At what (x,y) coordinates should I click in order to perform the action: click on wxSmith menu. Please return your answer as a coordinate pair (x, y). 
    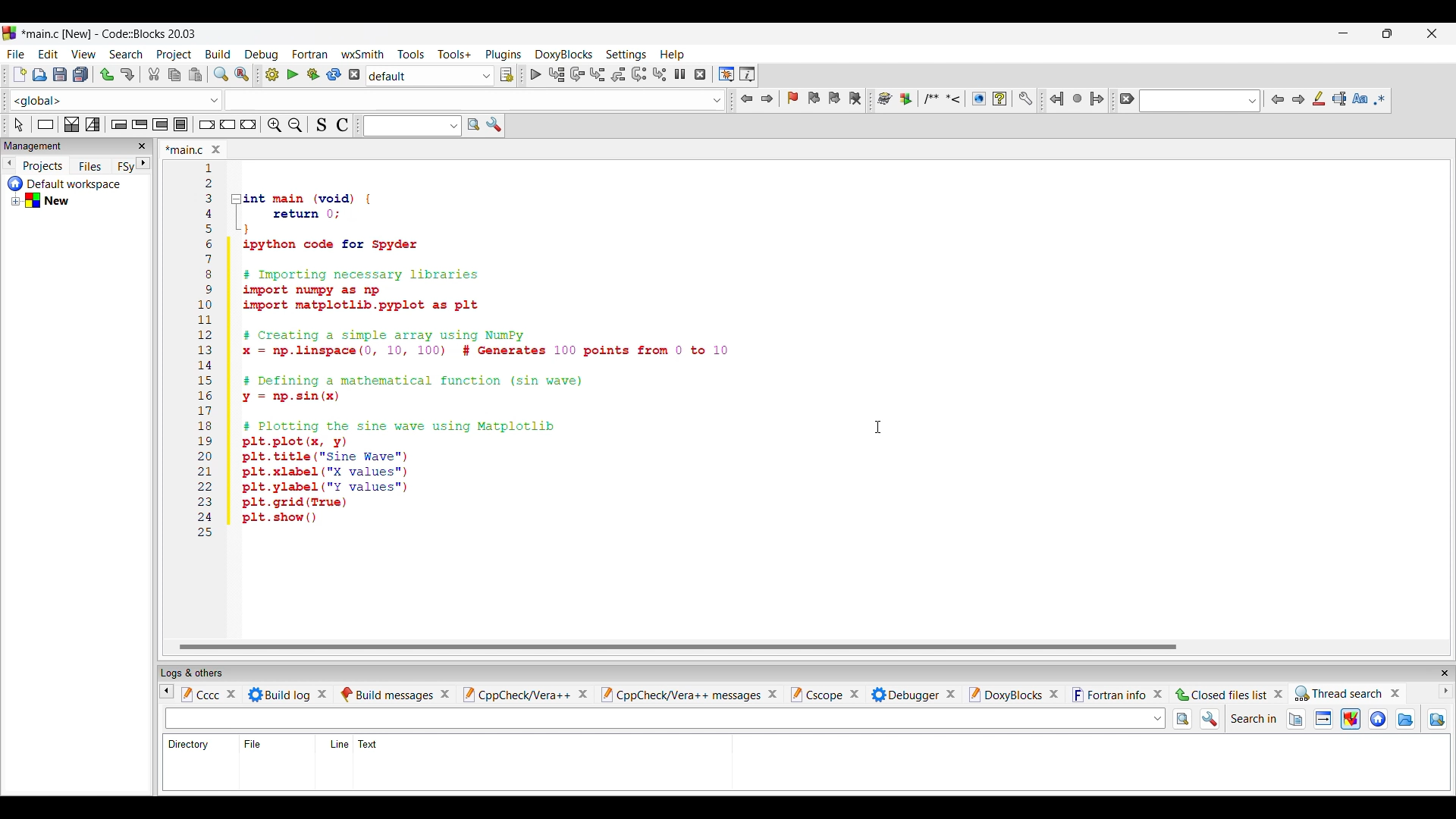
    Looking at the image, I should click on (360, 53).